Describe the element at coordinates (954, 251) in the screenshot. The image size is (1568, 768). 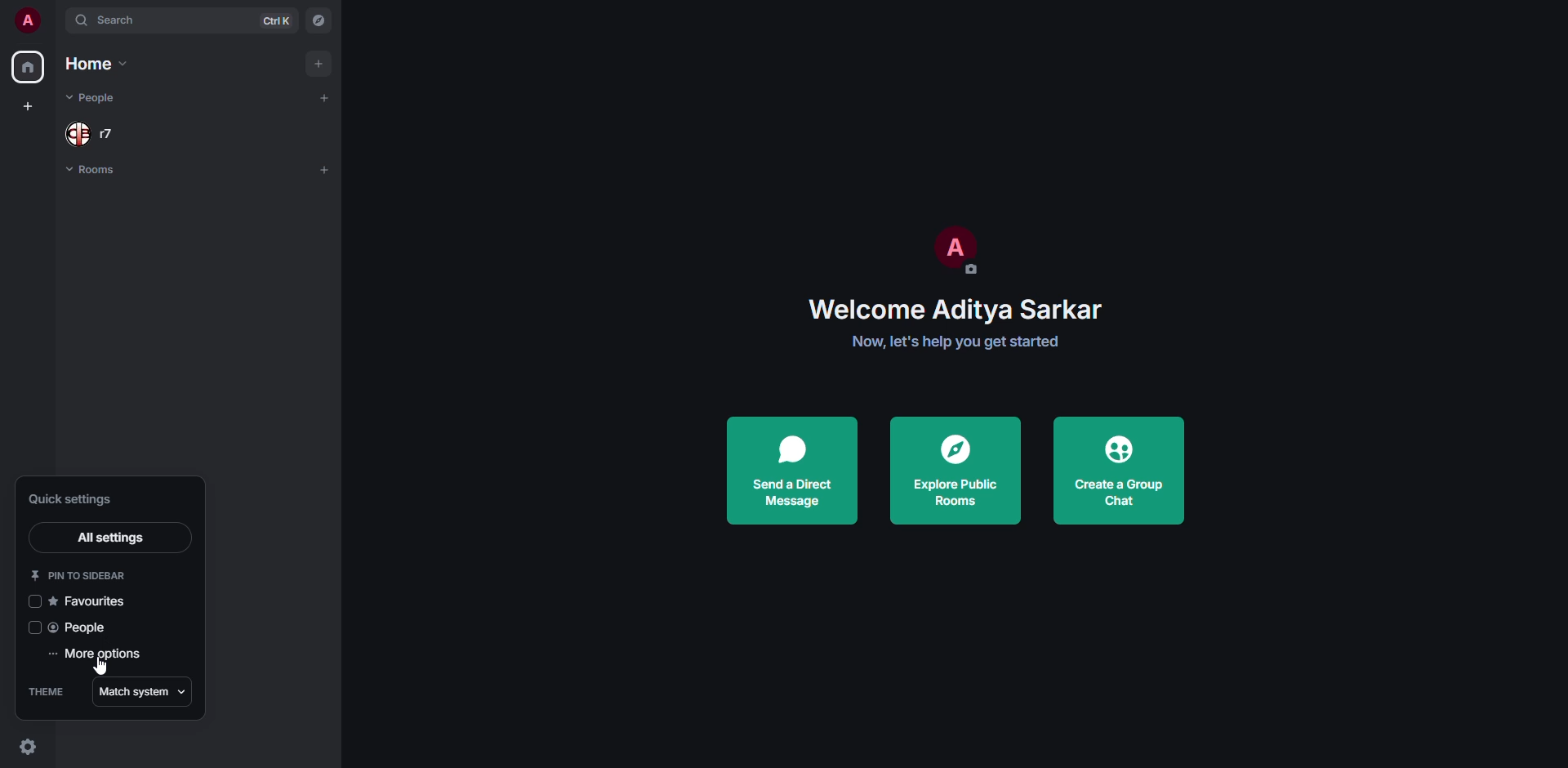
I see `profile pic` at that location.